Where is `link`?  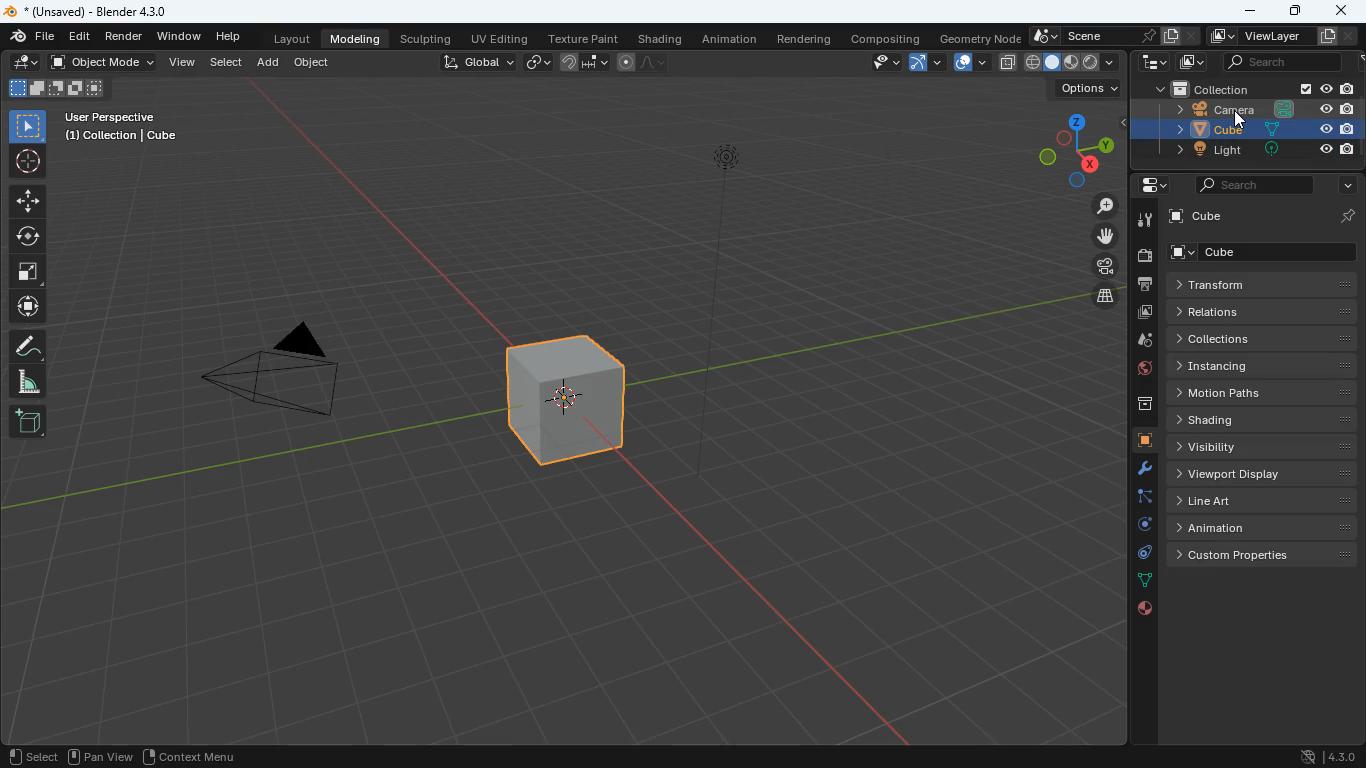 link is located at coordinates (535, 62).